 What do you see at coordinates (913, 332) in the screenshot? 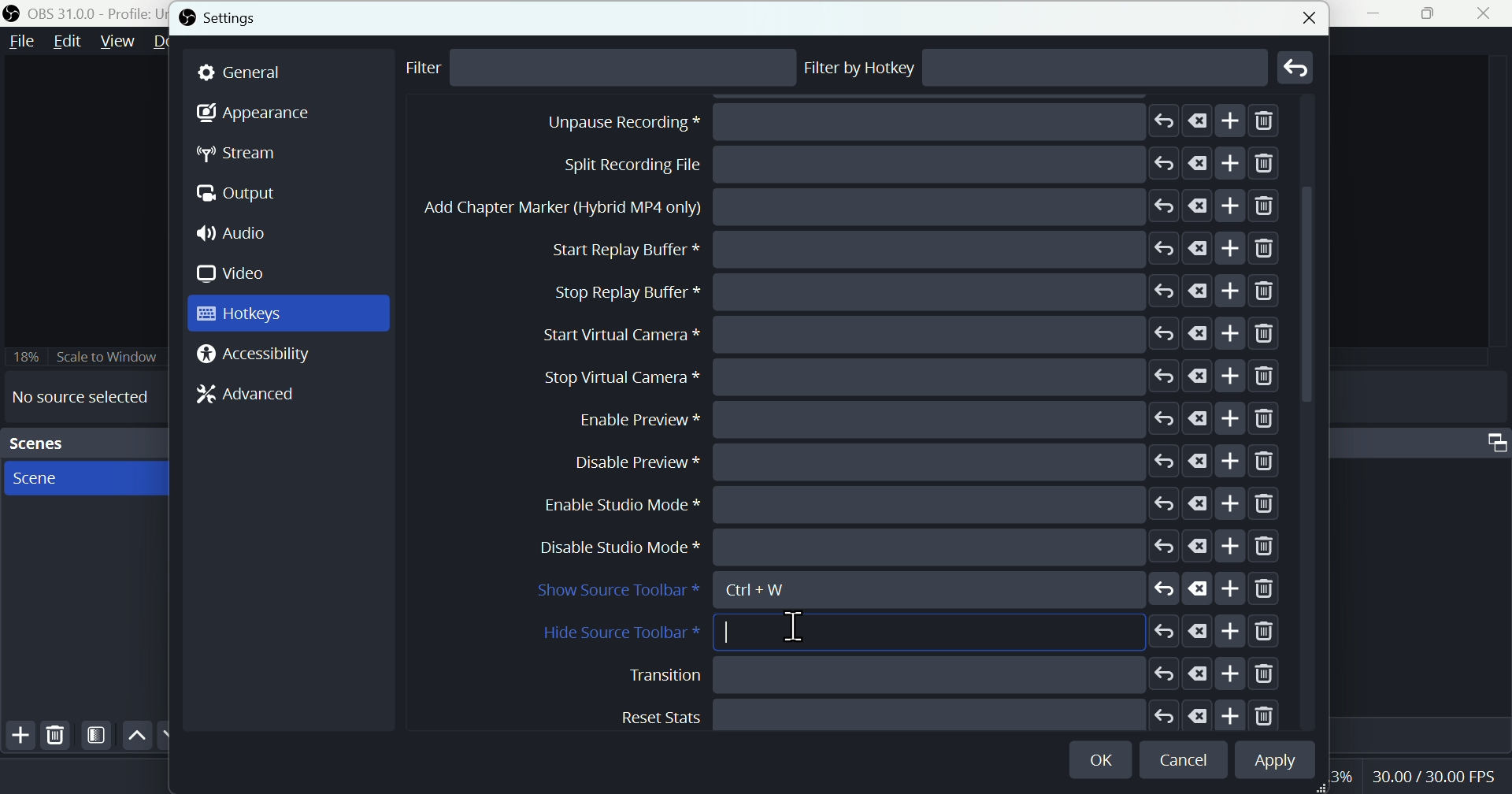
I see `Split recording file` at bounding box center [913, 332].